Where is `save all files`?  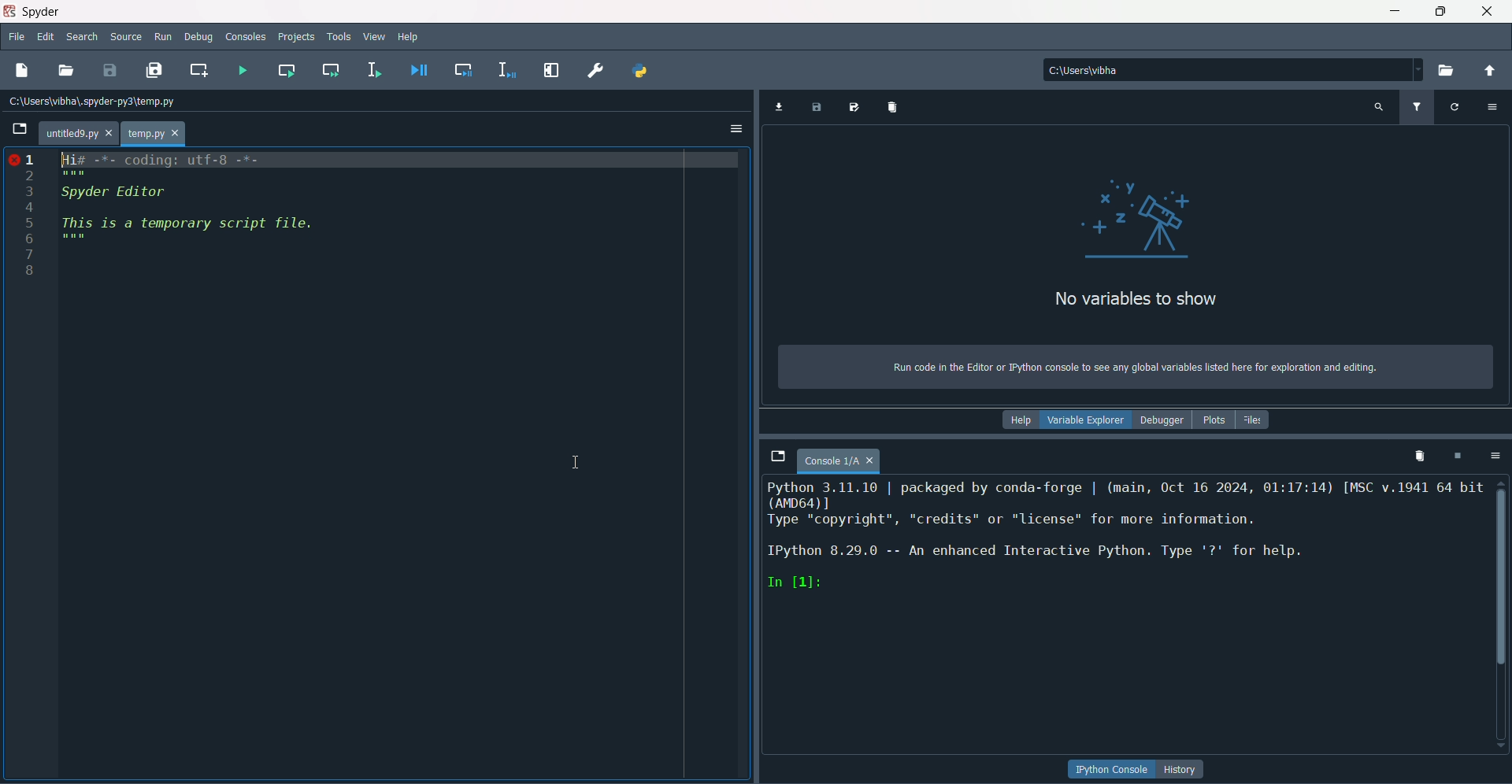
save all files is located at coordinates (154, 70).